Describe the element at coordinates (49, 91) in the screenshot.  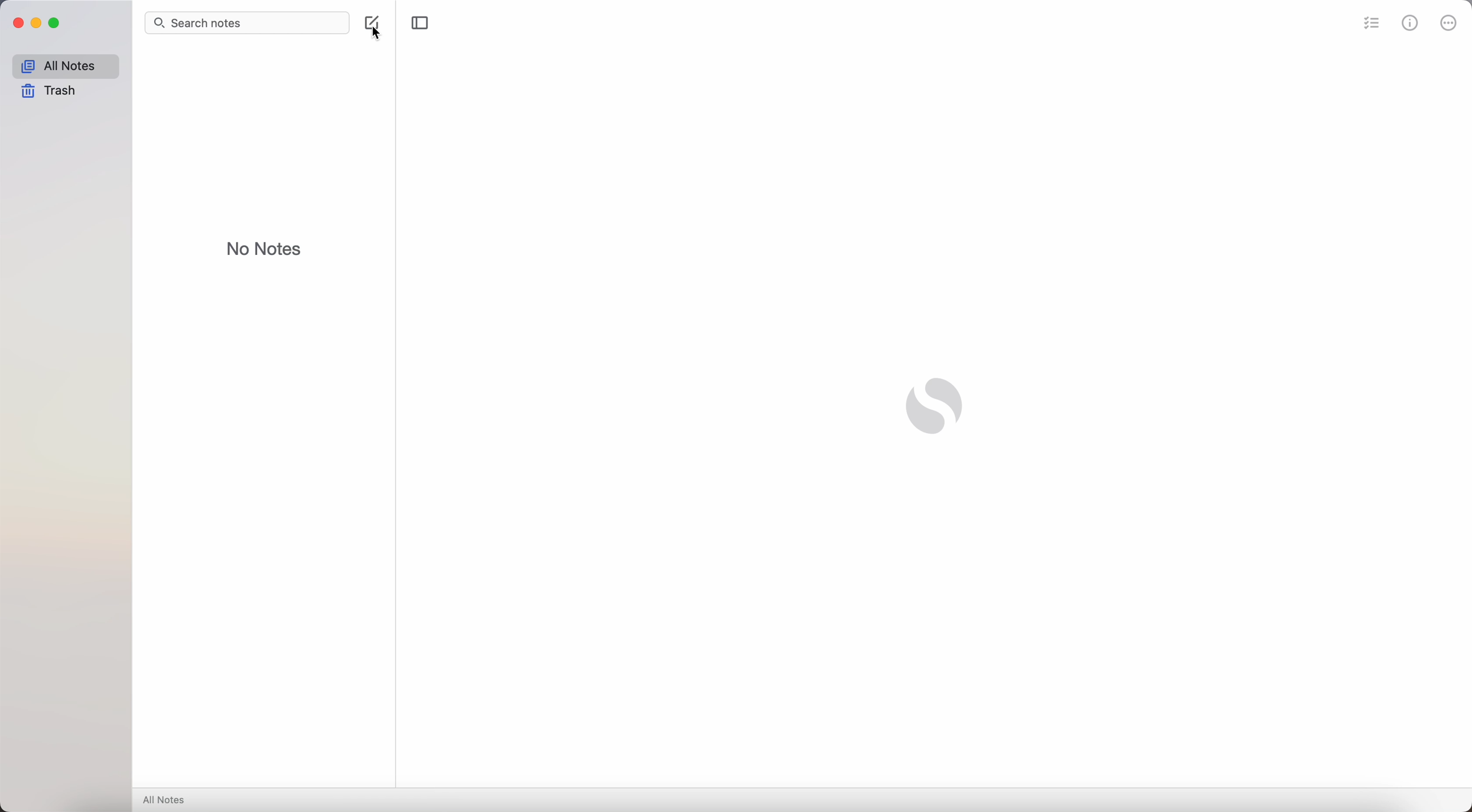
I see `trash` at that location.